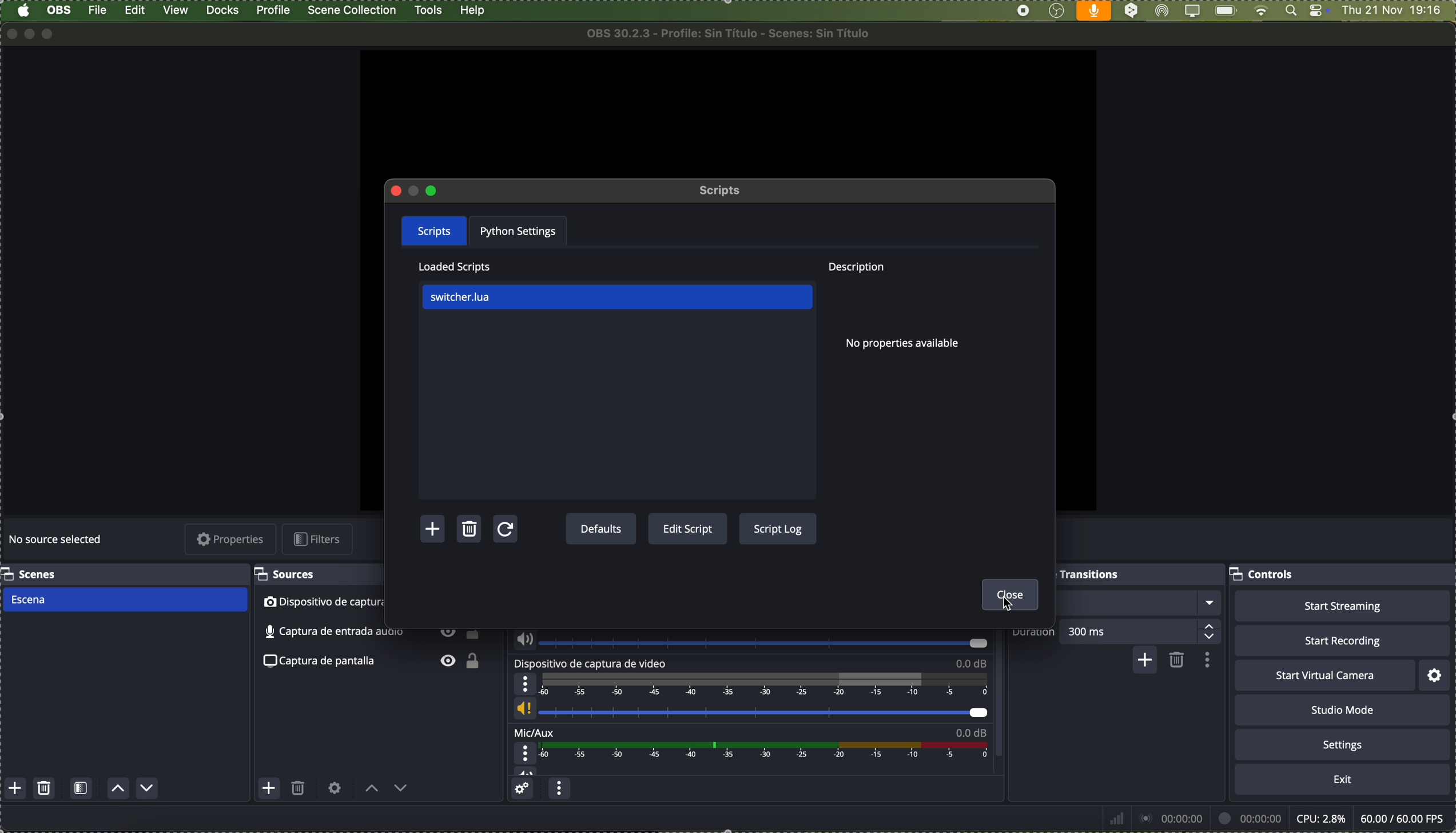  I want to click on add source, so click(269, 788).